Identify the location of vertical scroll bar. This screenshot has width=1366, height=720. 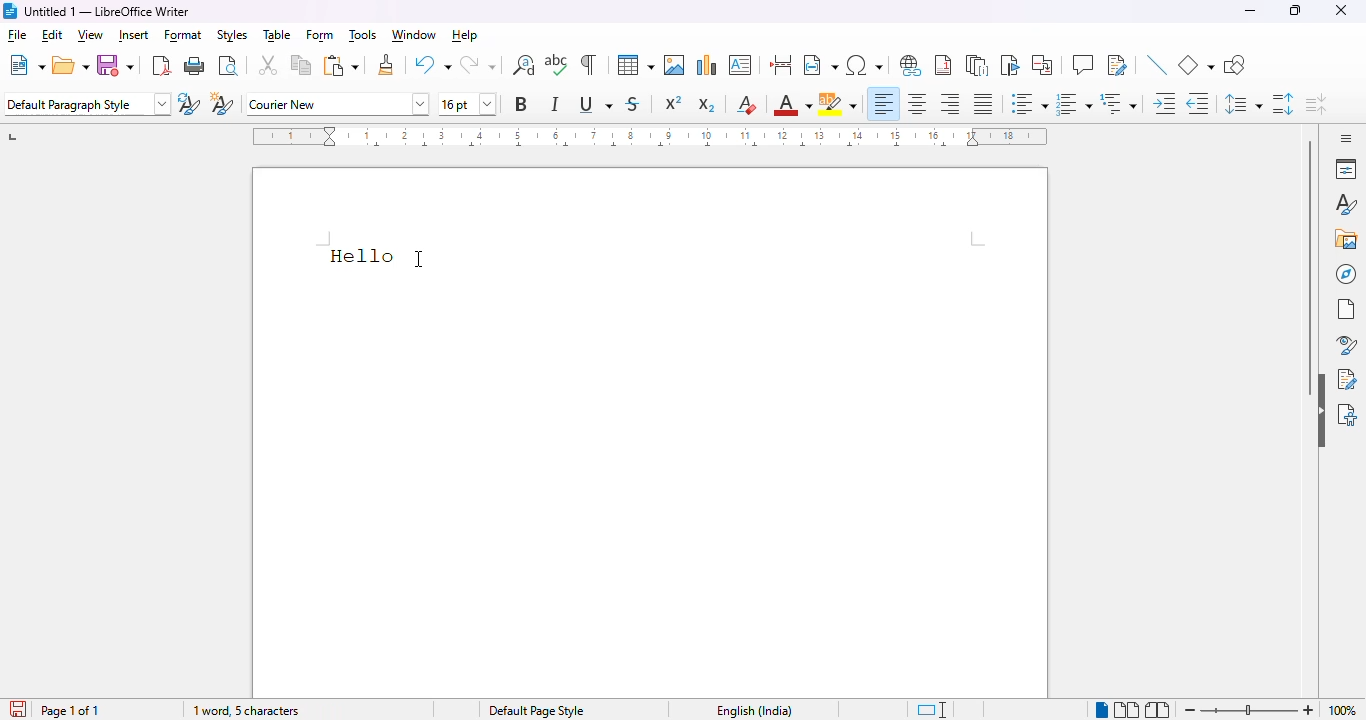
(1310, 270).